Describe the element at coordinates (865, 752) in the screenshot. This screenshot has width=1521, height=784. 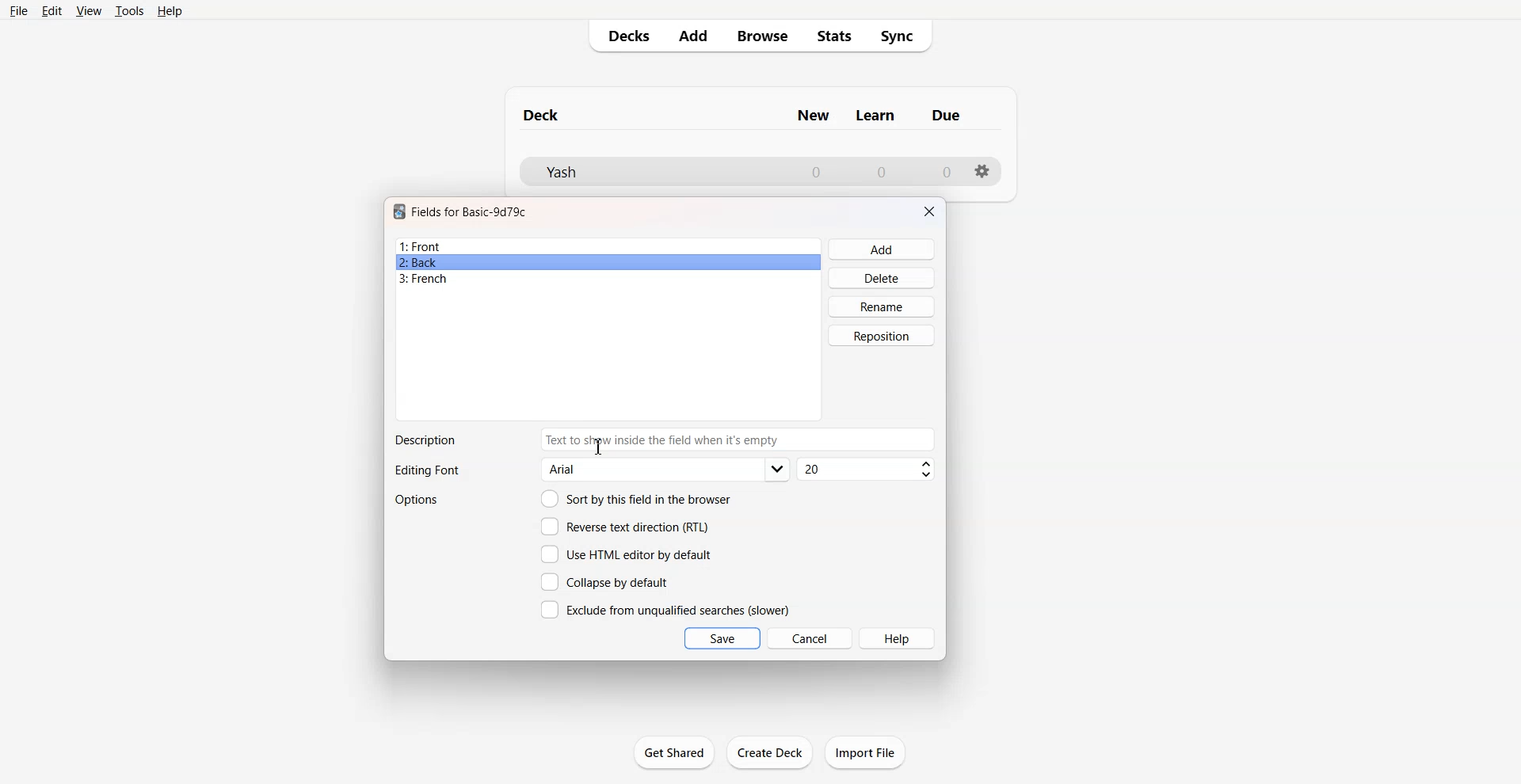
I see `Import File` at that location.